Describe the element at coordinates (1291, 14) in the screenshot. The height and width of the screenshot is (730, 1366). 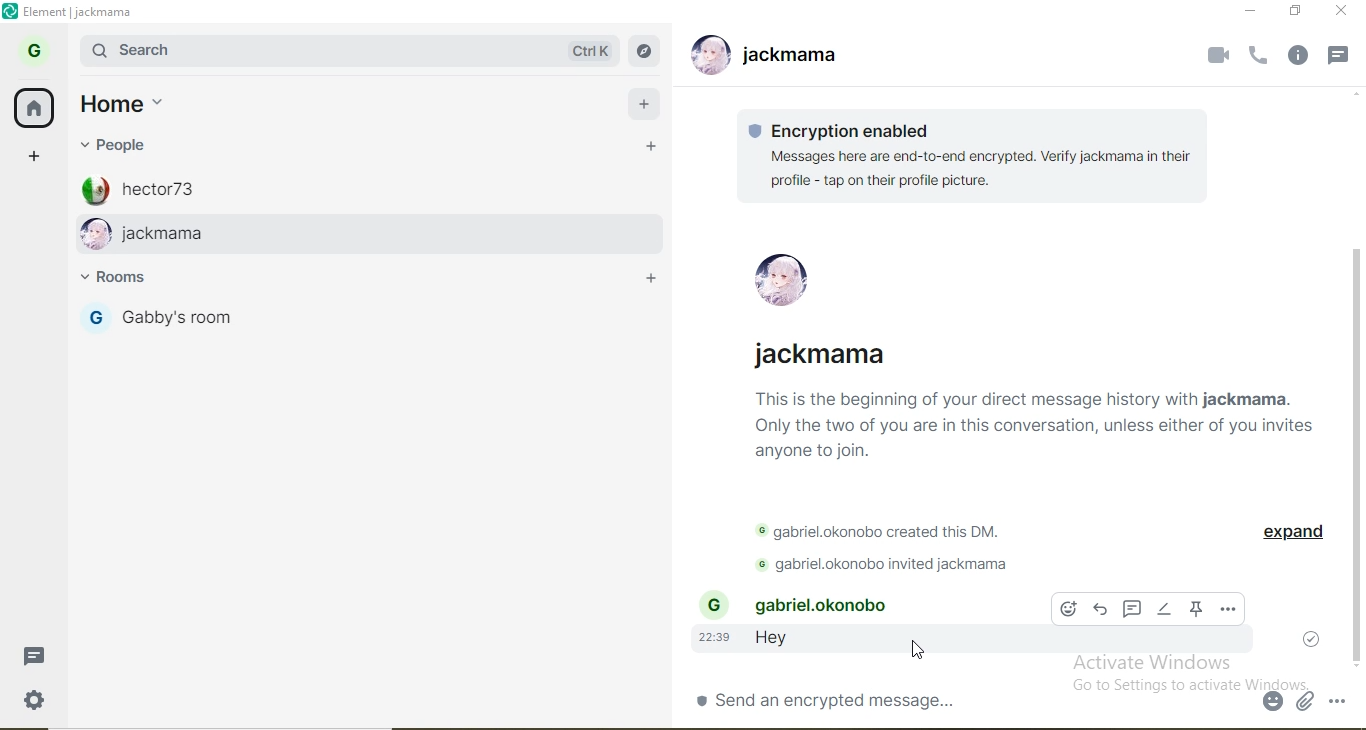
I see `restore` at that location.